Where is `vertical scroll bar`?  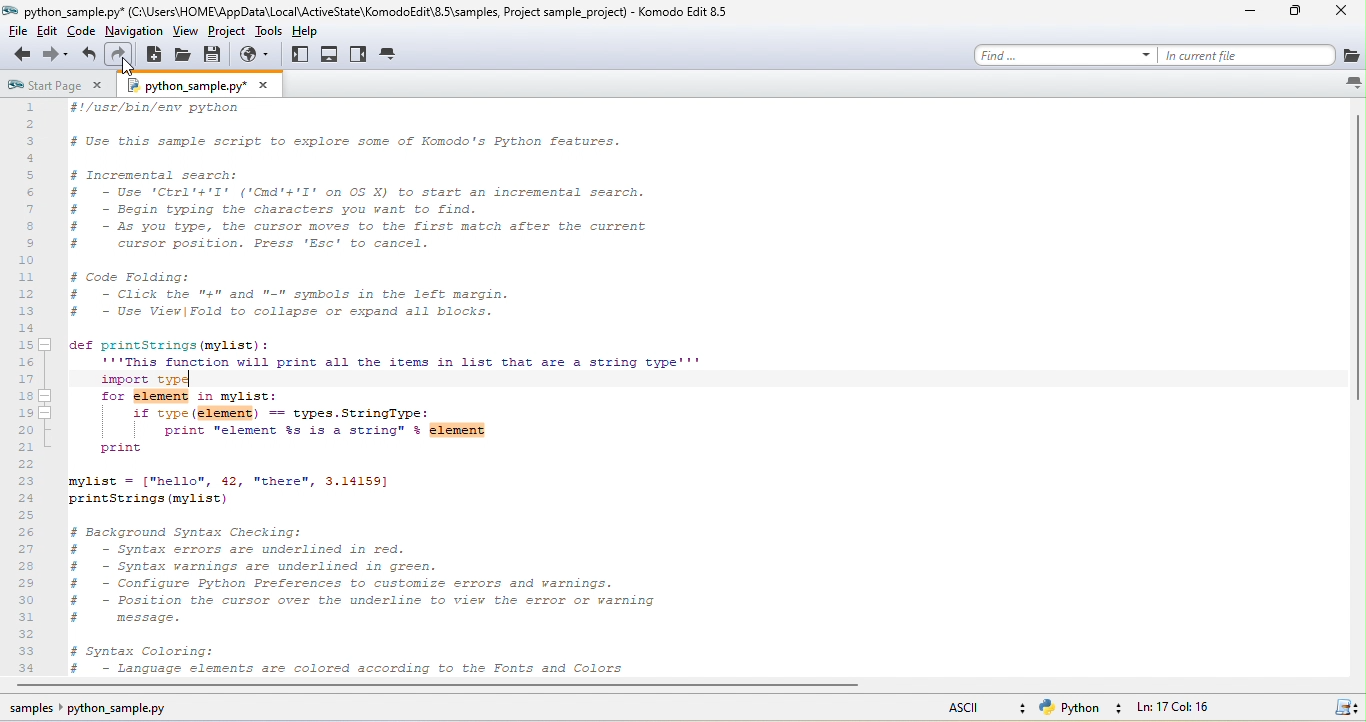 vertical scroll bar is located at coordinates (1356, 264).